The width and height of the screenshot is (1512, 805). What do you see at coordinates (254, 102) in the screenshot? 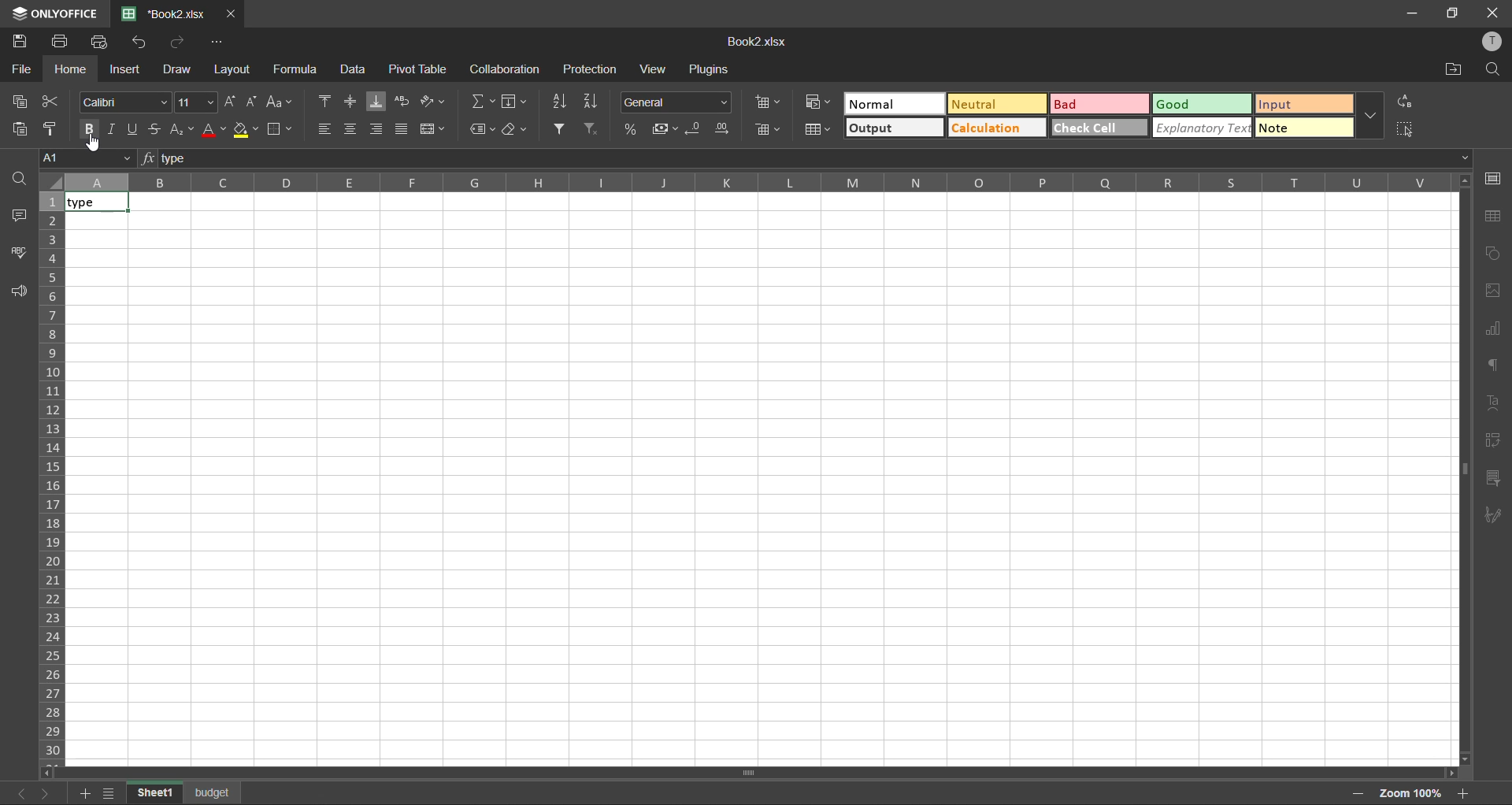
I see `decrement size` at bounding box center [254, 102].